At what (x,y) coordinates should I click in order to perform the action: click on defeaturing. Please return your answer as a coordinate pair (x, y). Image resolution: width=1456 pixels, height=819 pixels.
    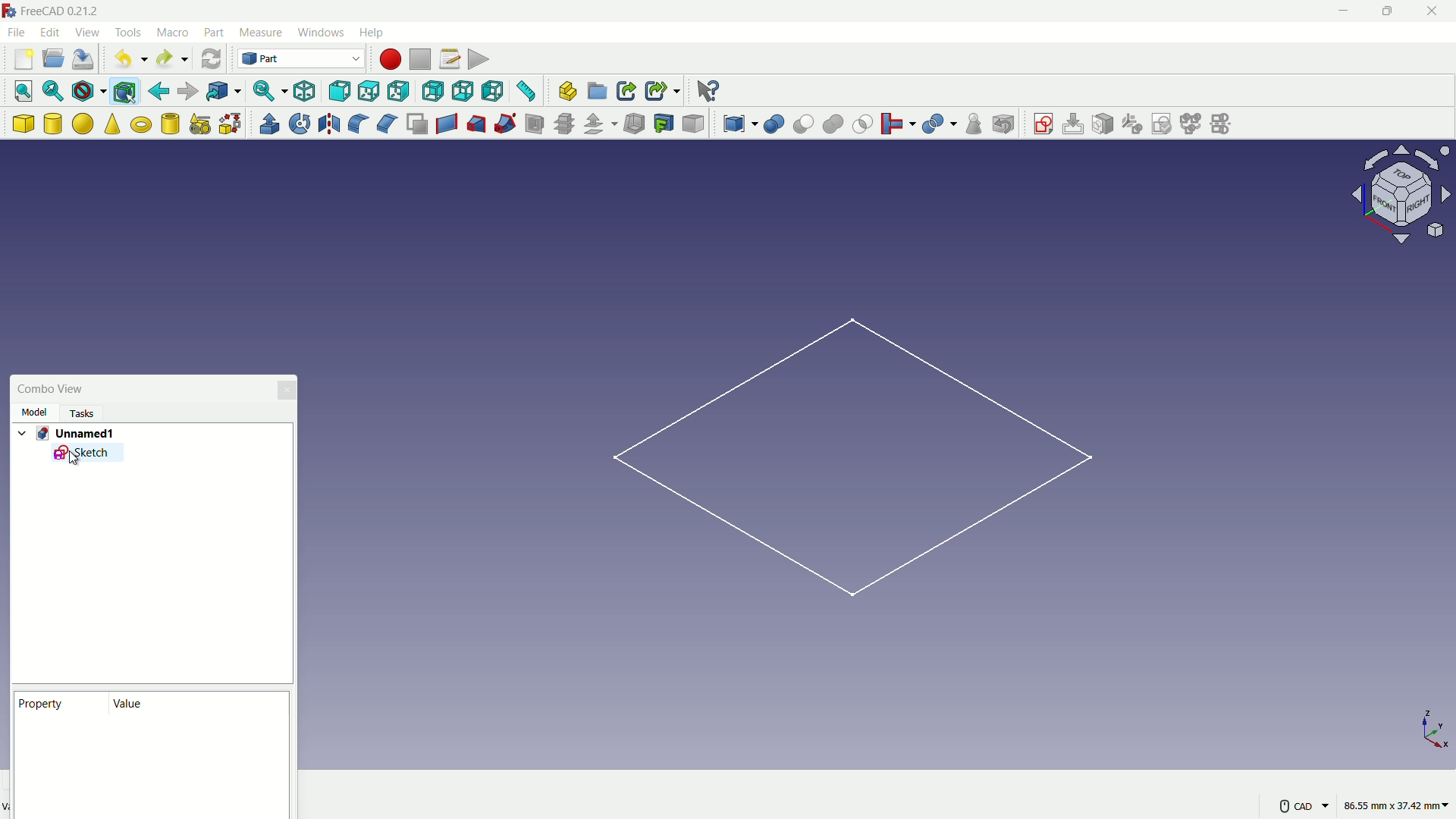
    Looking at the image, I should click on (1003, 124).